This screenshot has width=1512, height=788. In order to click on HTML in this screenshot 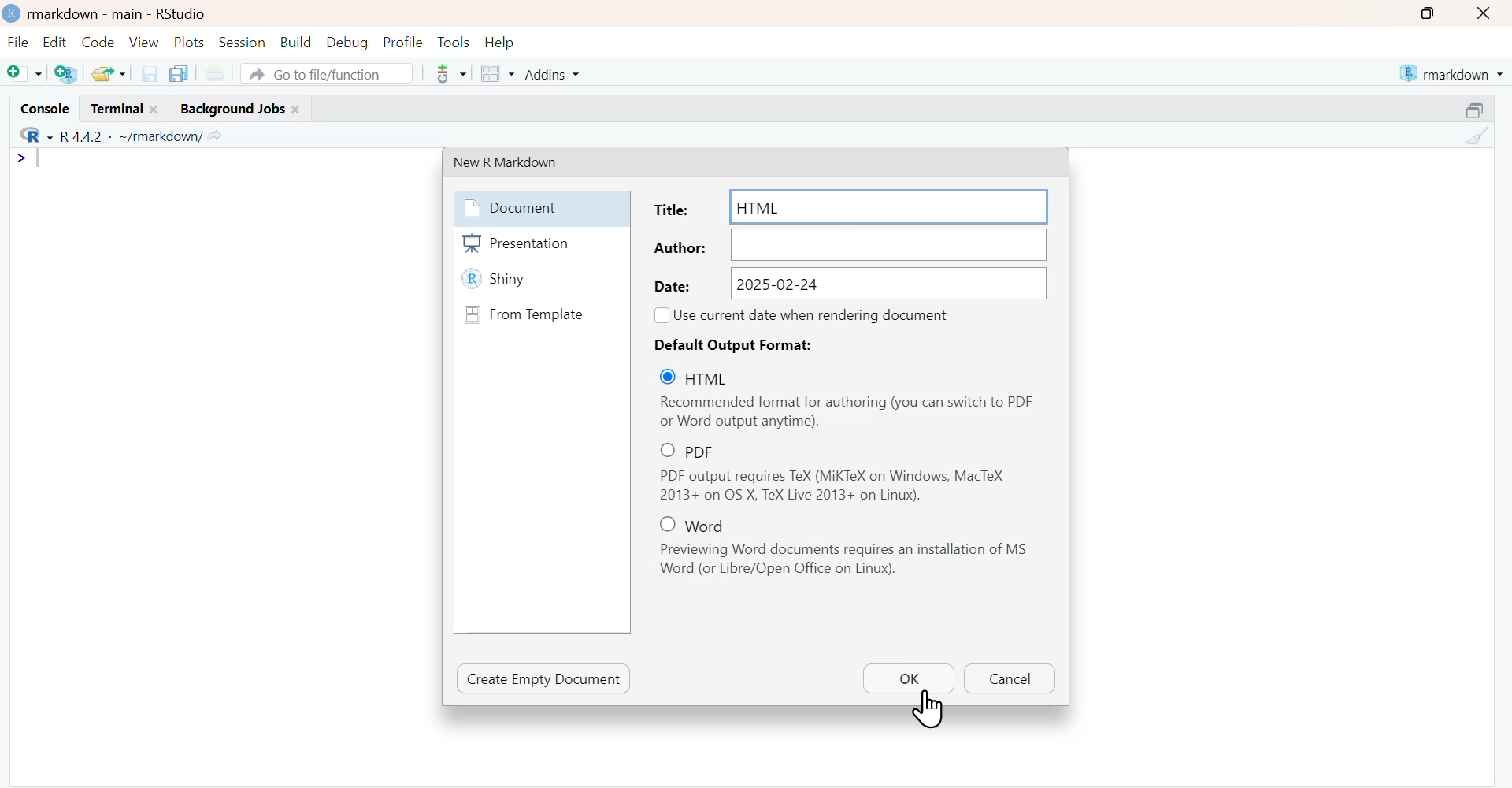, I will do `click(705, 377)`.